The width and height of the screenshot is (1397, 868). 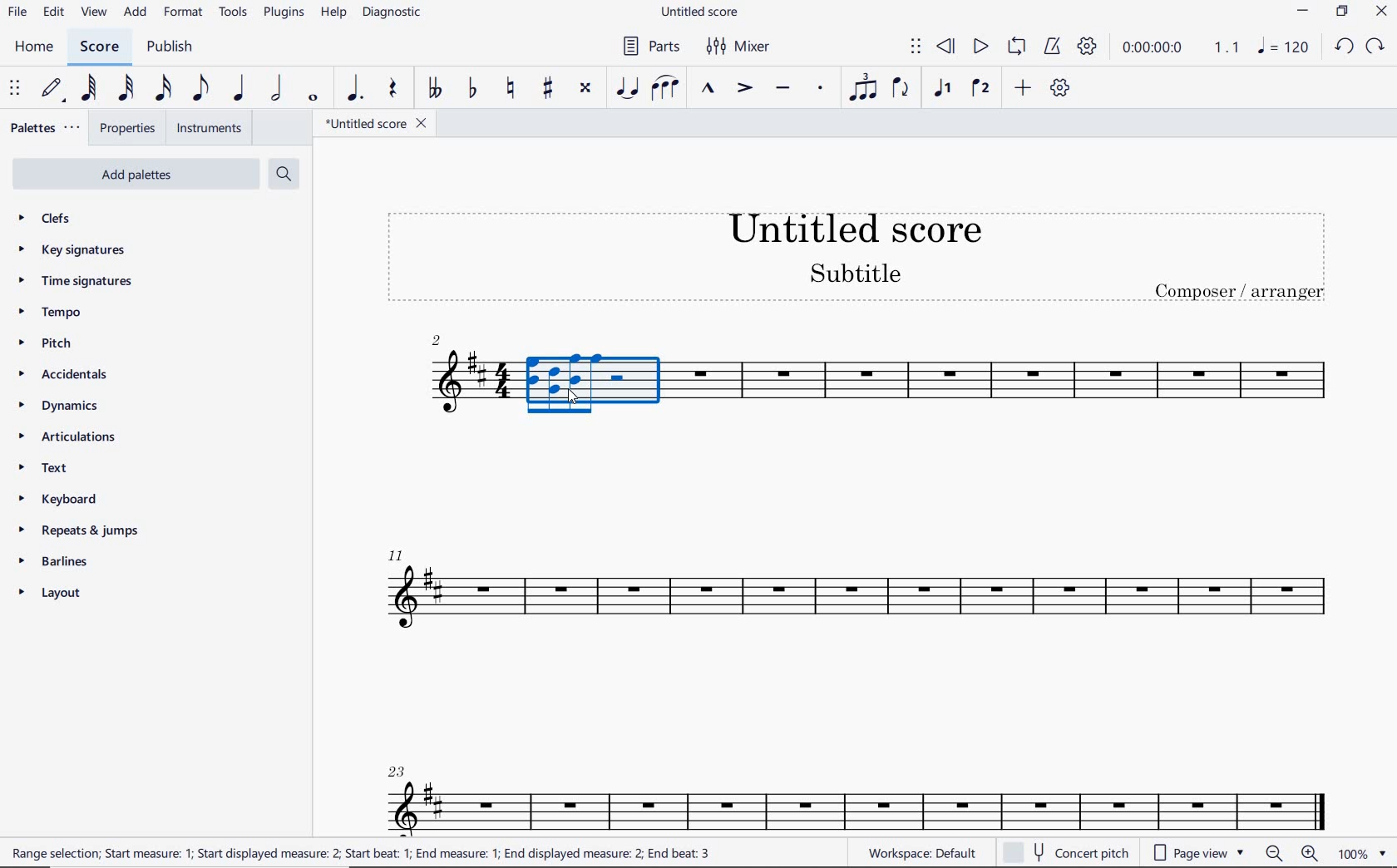 I want to click on PUBLISH, so click(x=170, y=48).